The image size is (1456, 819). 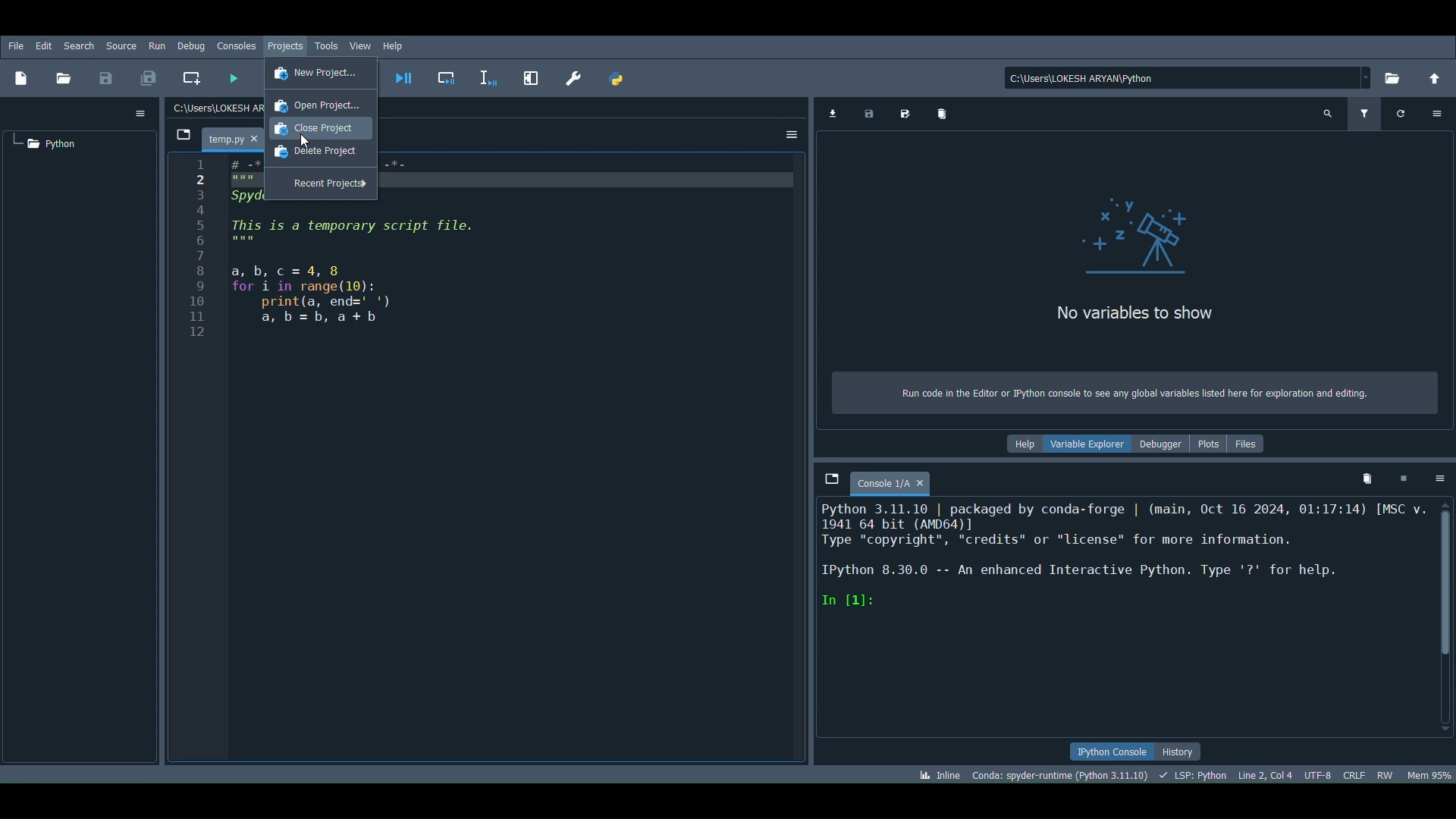 What do you see at coordinates (287, 45) in the screenshot?
I see `Projects` at bounding box center [287, 45].